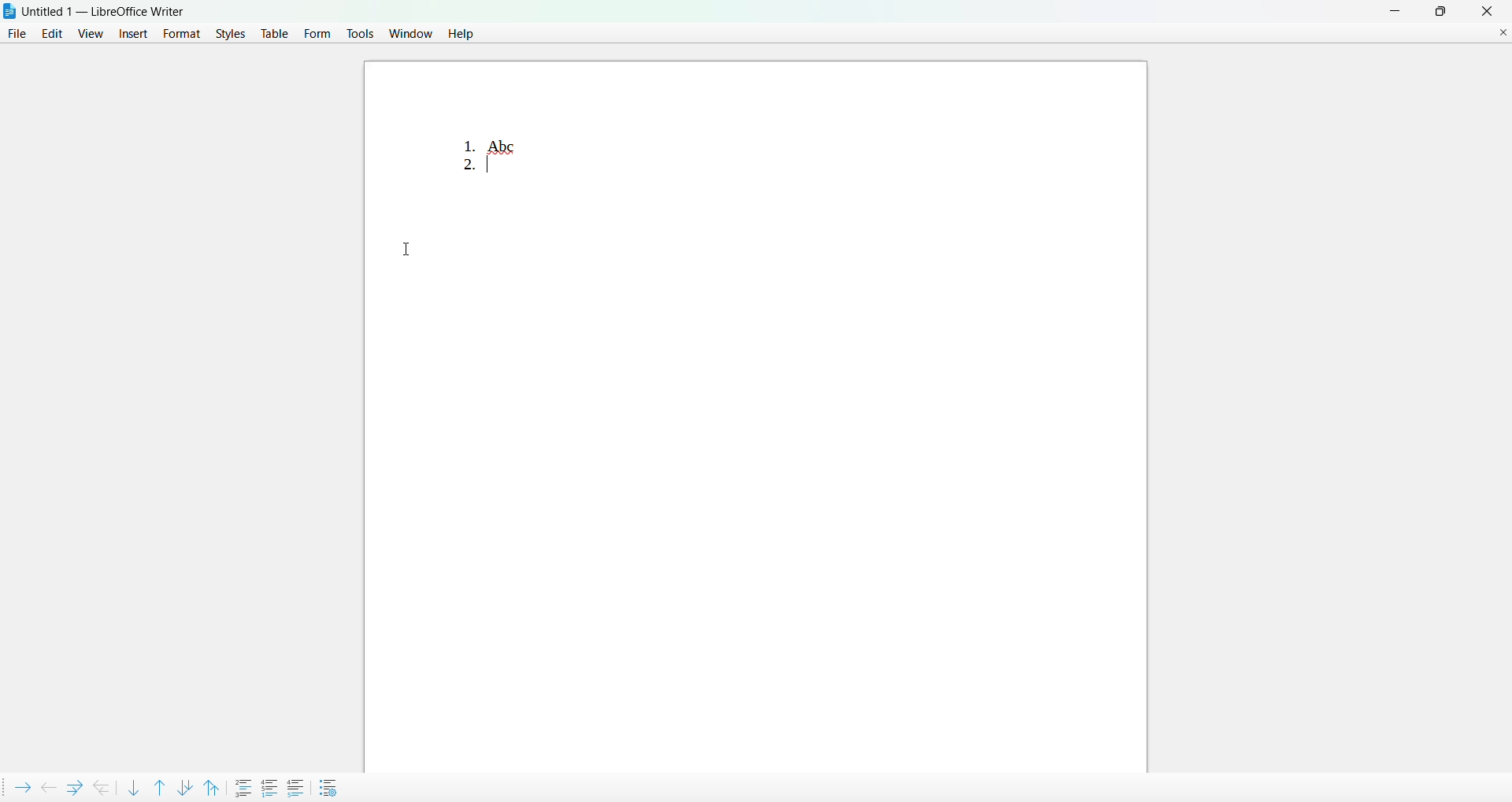 The height and width of the screenshot is (802, 1512). I want to click on 1, so click(460, 138).